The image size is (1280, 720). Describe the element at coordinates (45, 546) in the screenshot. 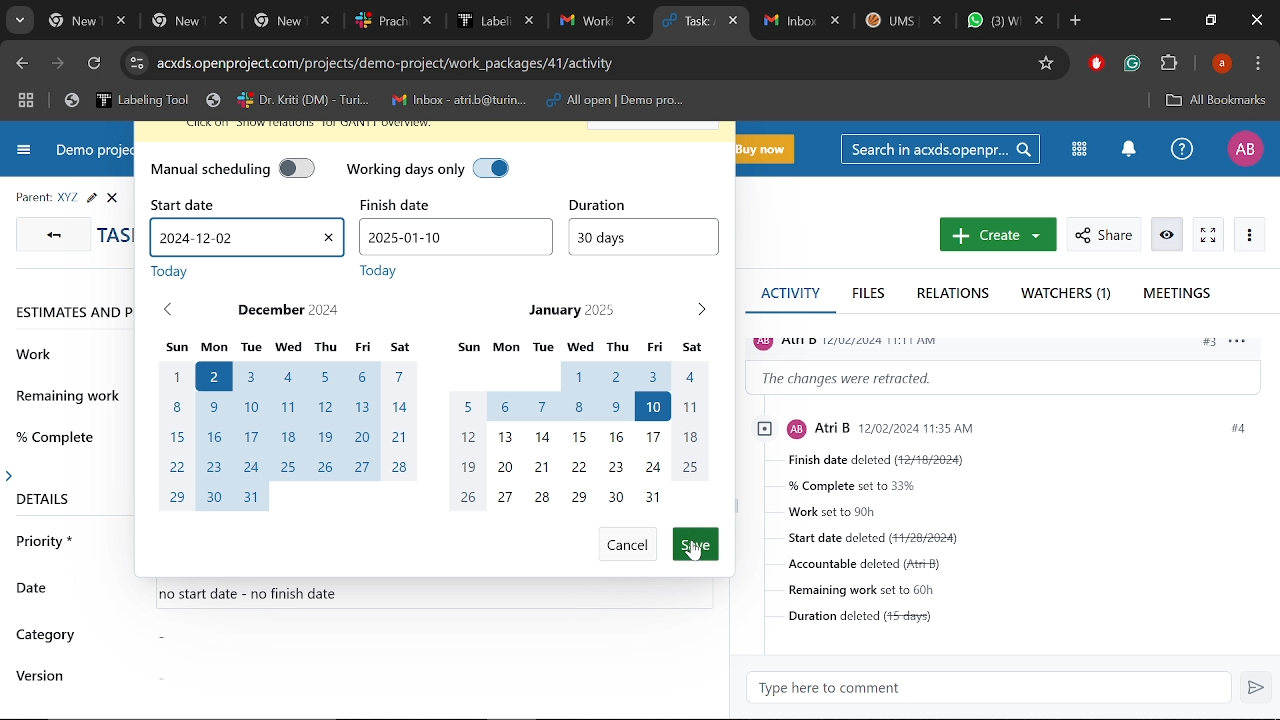

I see `priority` at that location.